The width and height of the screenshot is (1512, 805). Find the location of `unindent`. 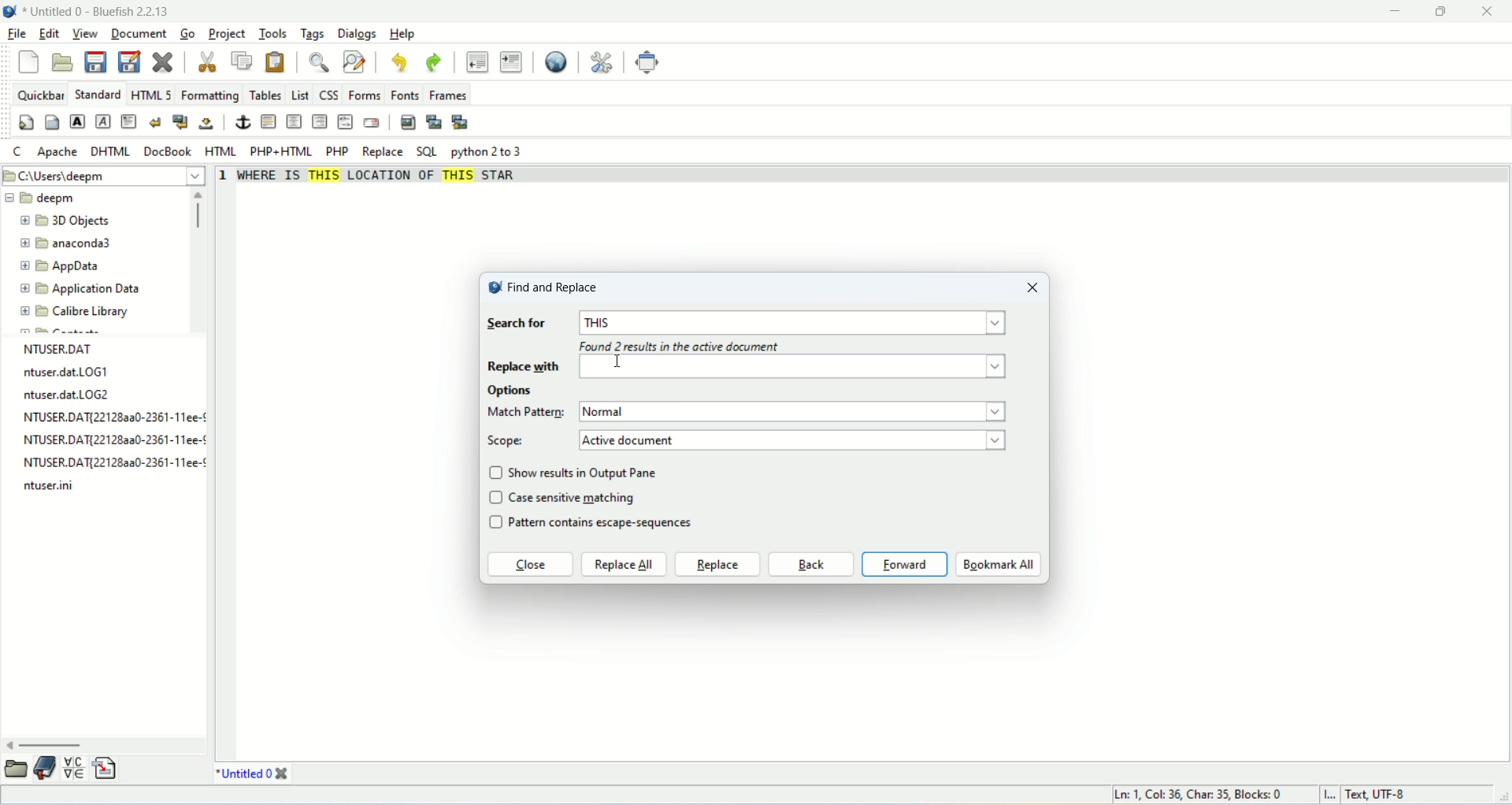

unindent is located at coordinates (476, 61).